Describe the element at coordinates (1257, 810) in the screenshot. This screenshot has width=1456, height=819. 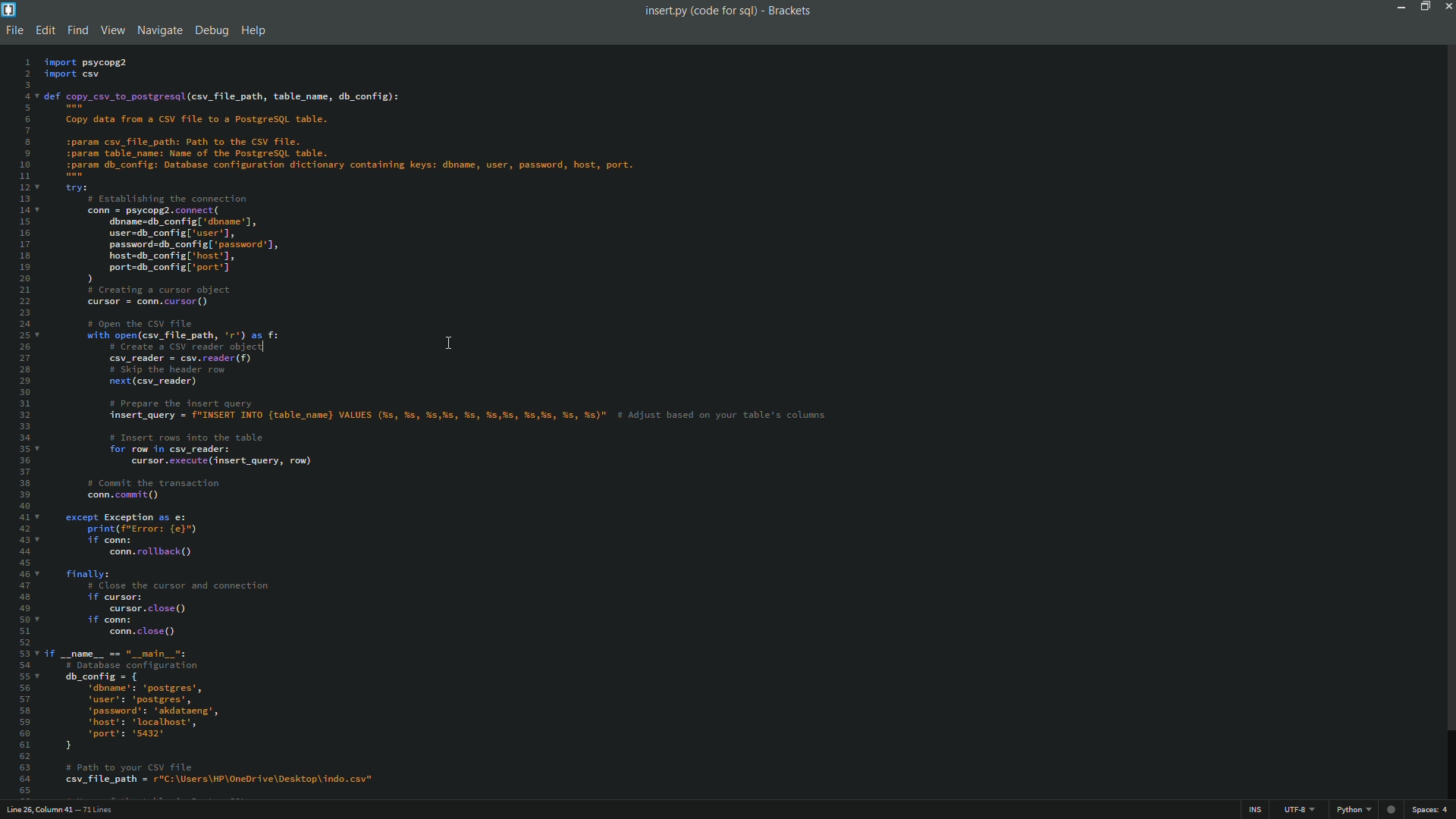
I see `ins` at that location.